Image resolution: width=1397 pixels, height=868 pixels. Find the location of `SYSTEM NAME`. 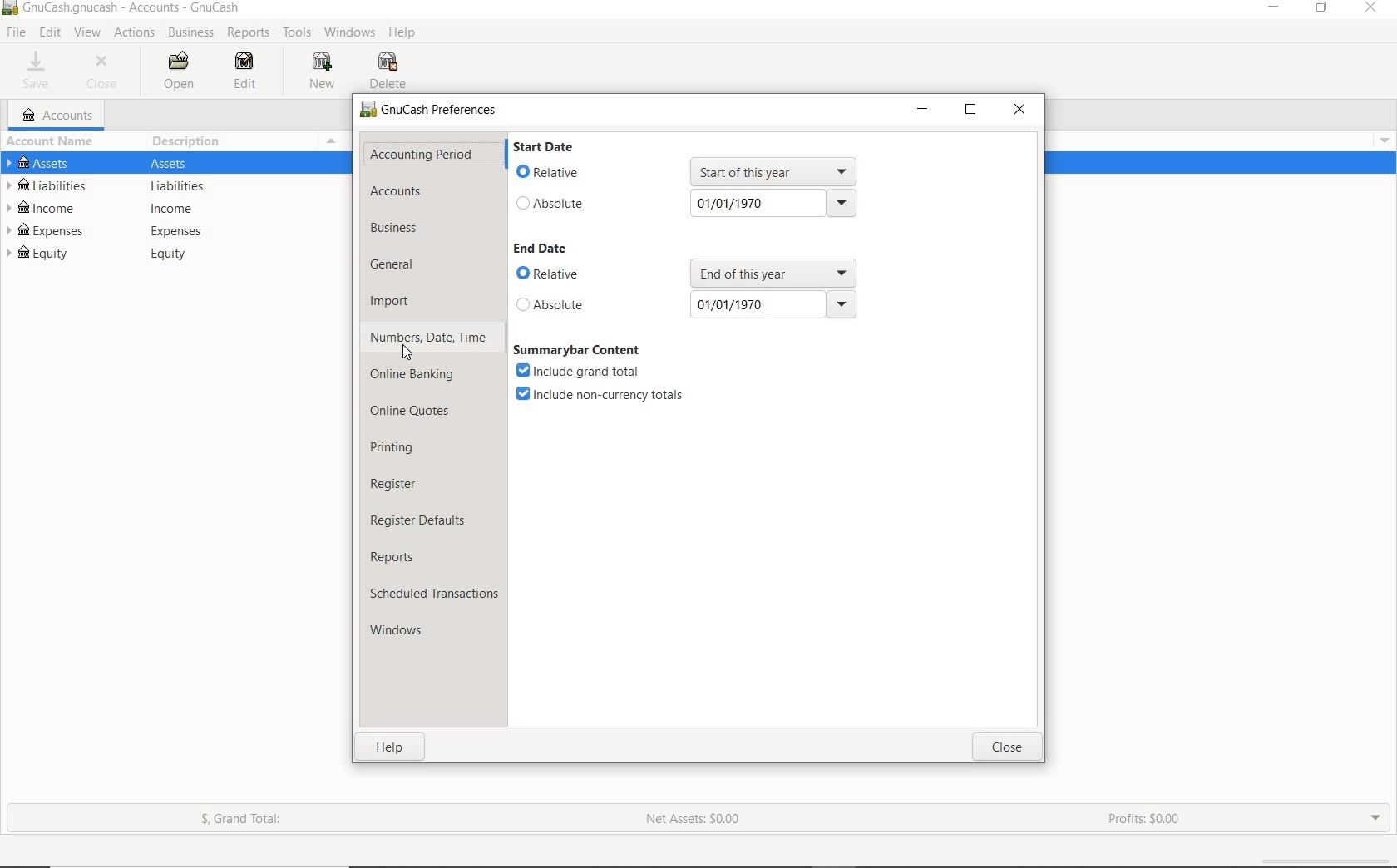

SYSTEM NAME is located at coordinates (125, 8).